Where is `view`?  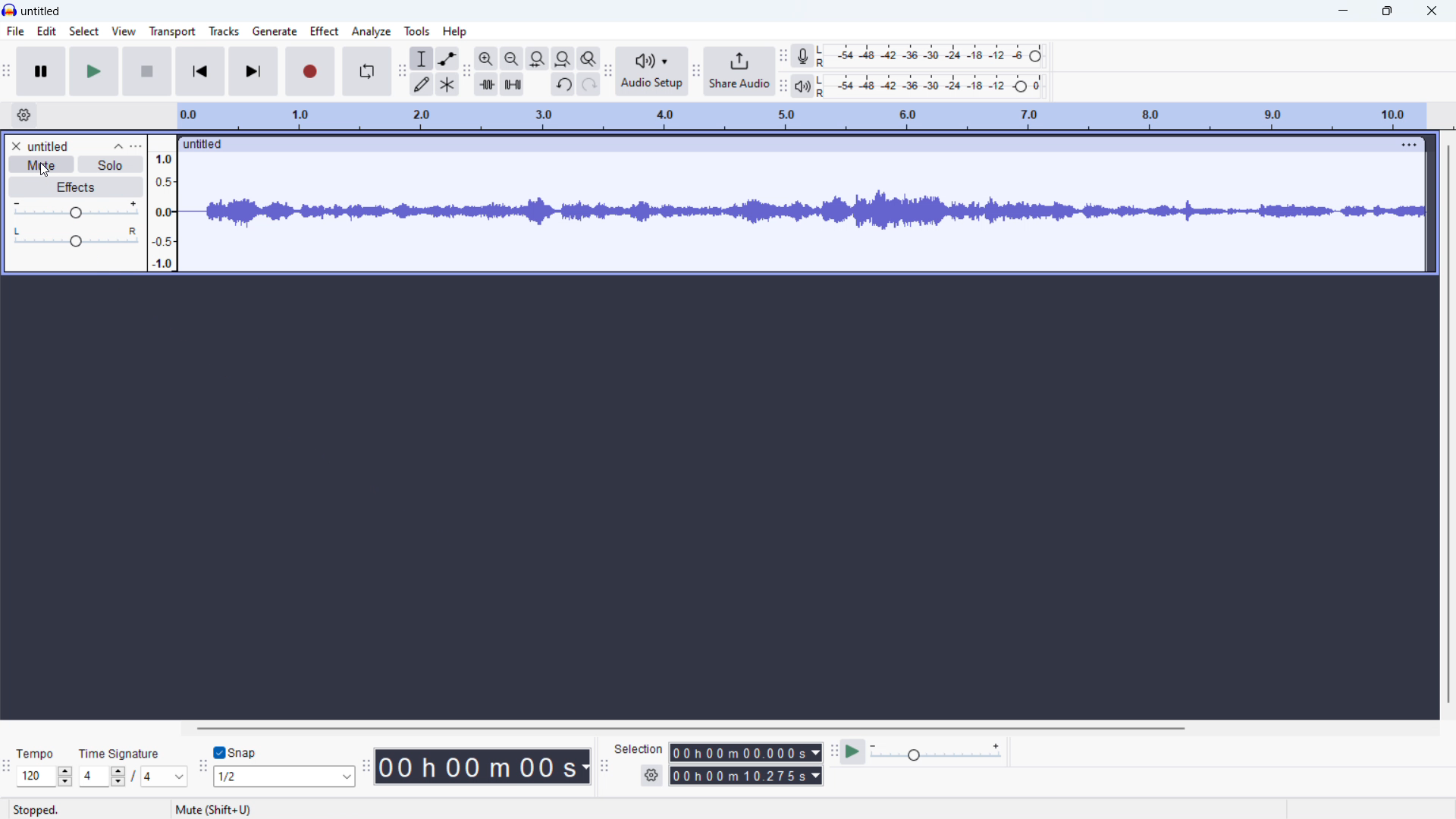 view is located at coordinates (125, 31).